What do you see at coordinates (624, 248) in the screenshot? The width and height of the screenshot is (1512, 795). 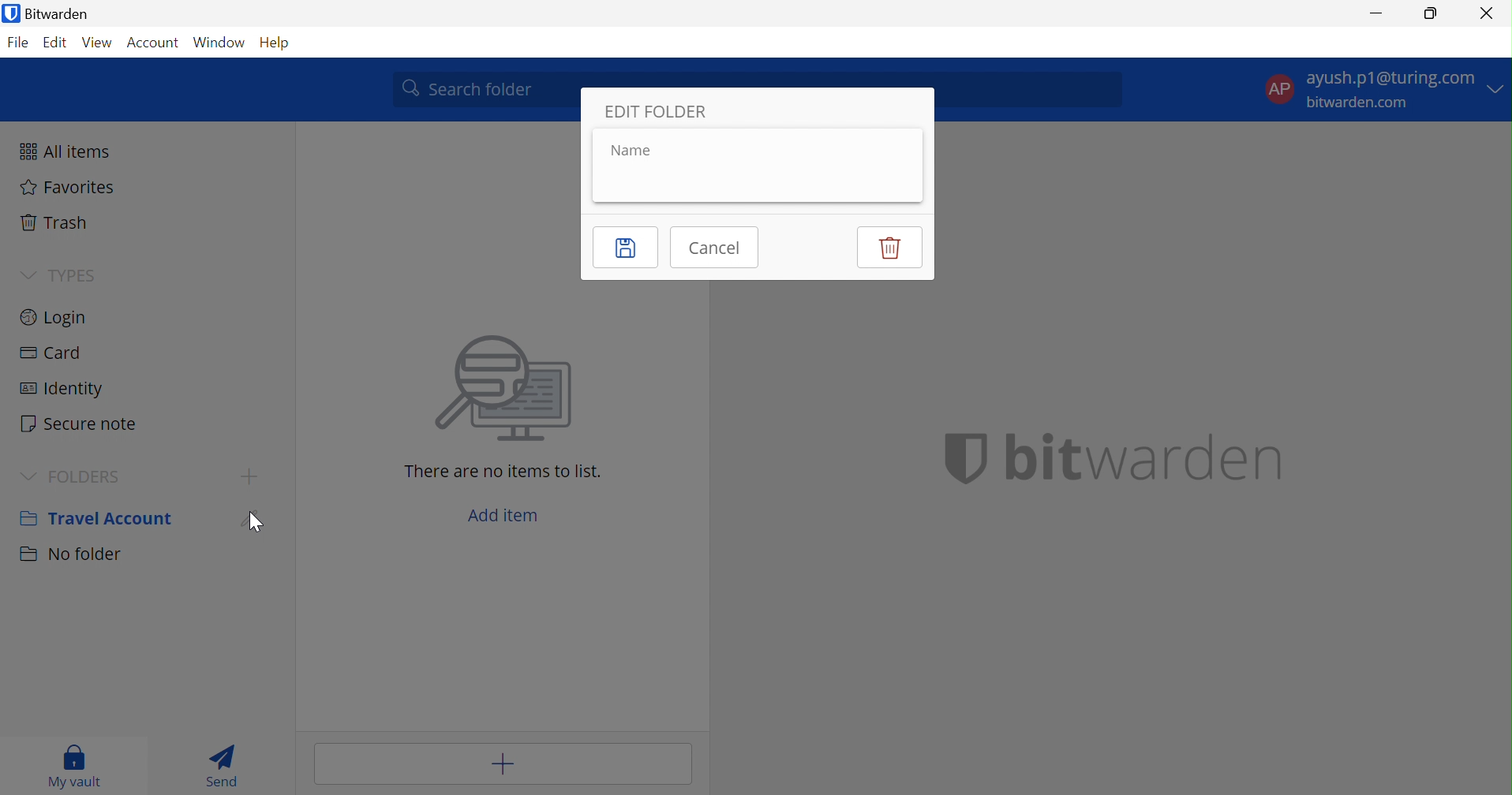 I see `Save` at bounding box center [624, 248].